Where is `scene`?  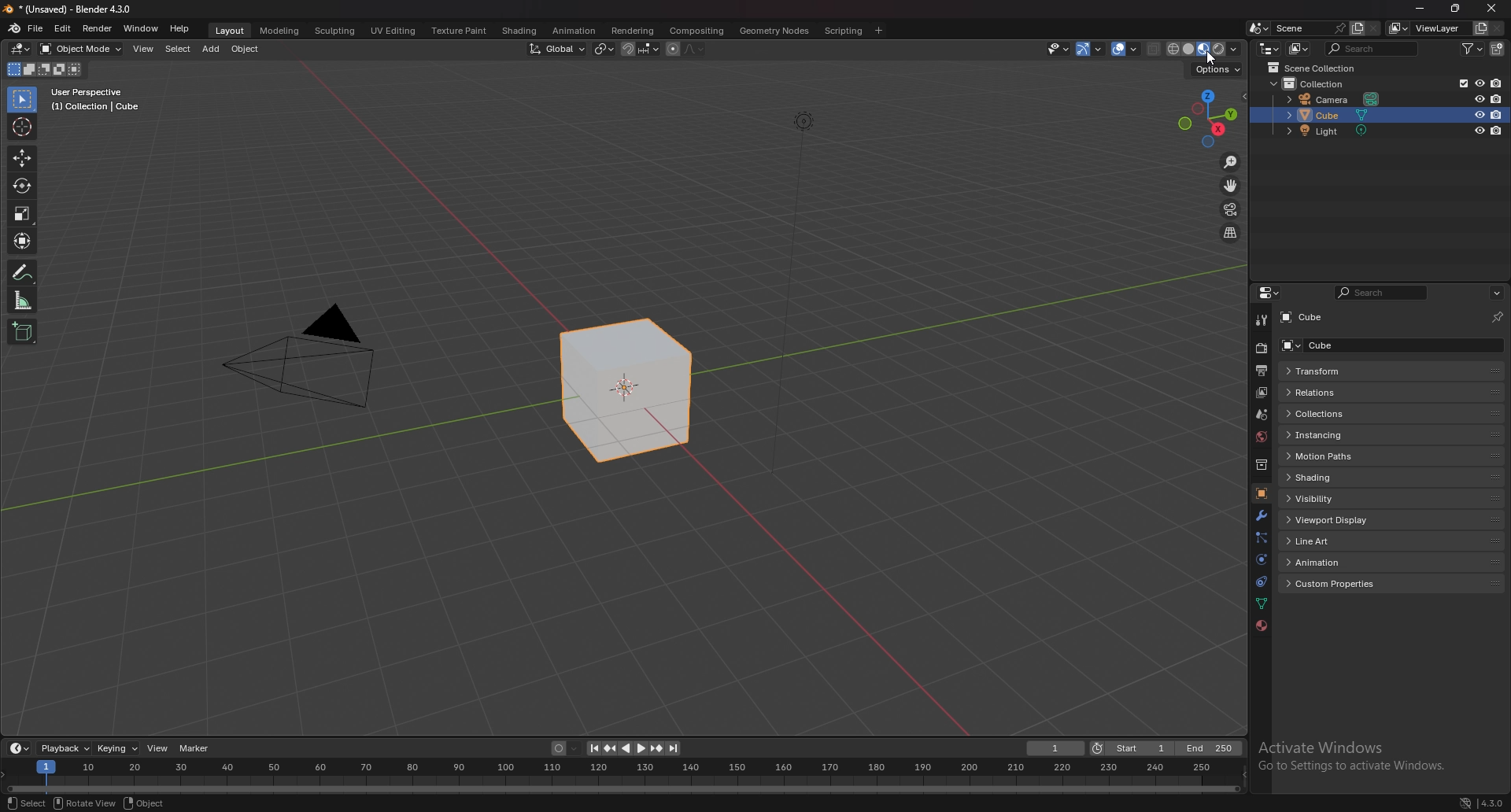
scene is located at coordinates (1262, 415).